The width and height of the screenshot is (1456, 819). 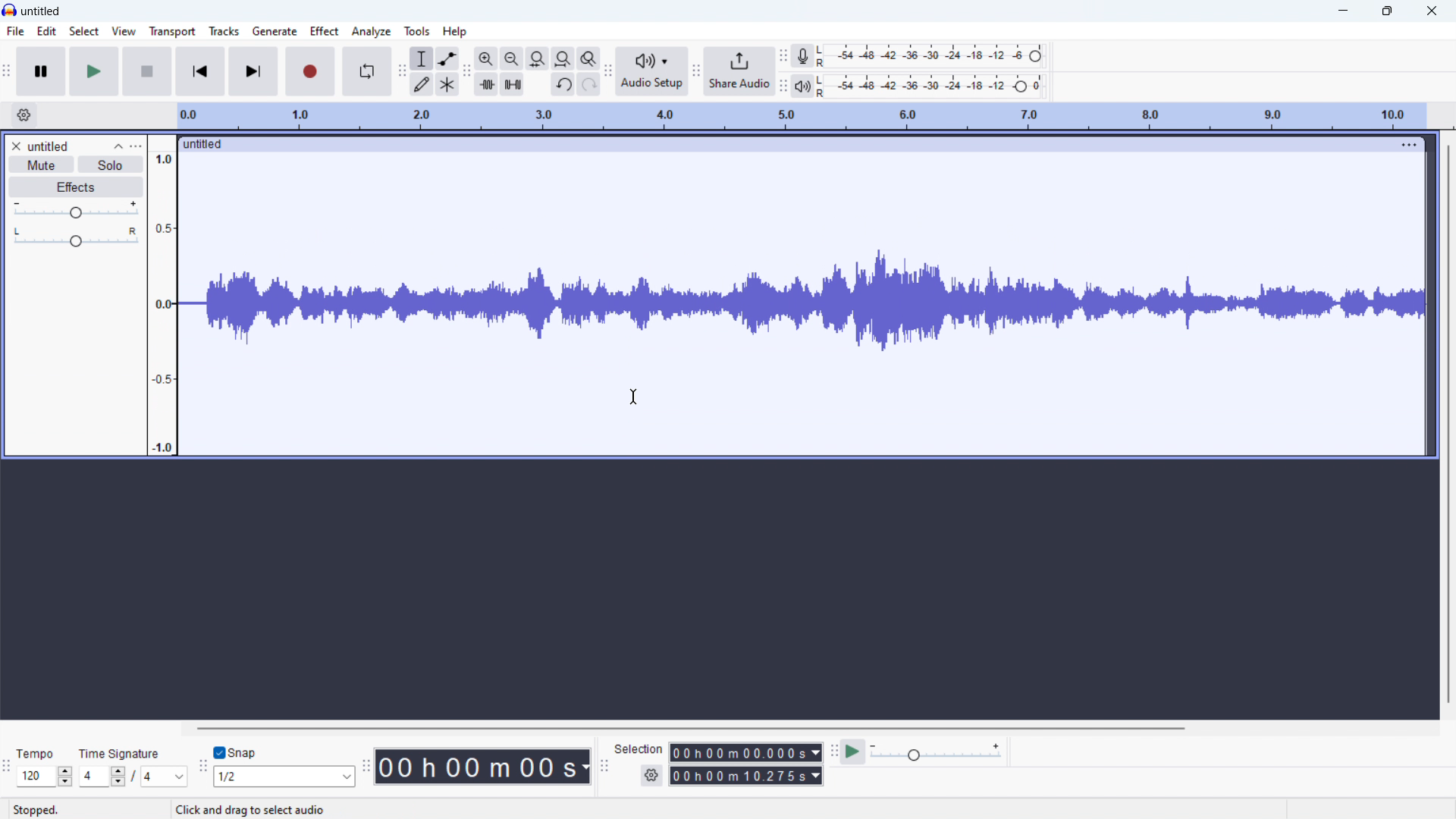 I want to click on playback meter, so click(x=803, y=86).